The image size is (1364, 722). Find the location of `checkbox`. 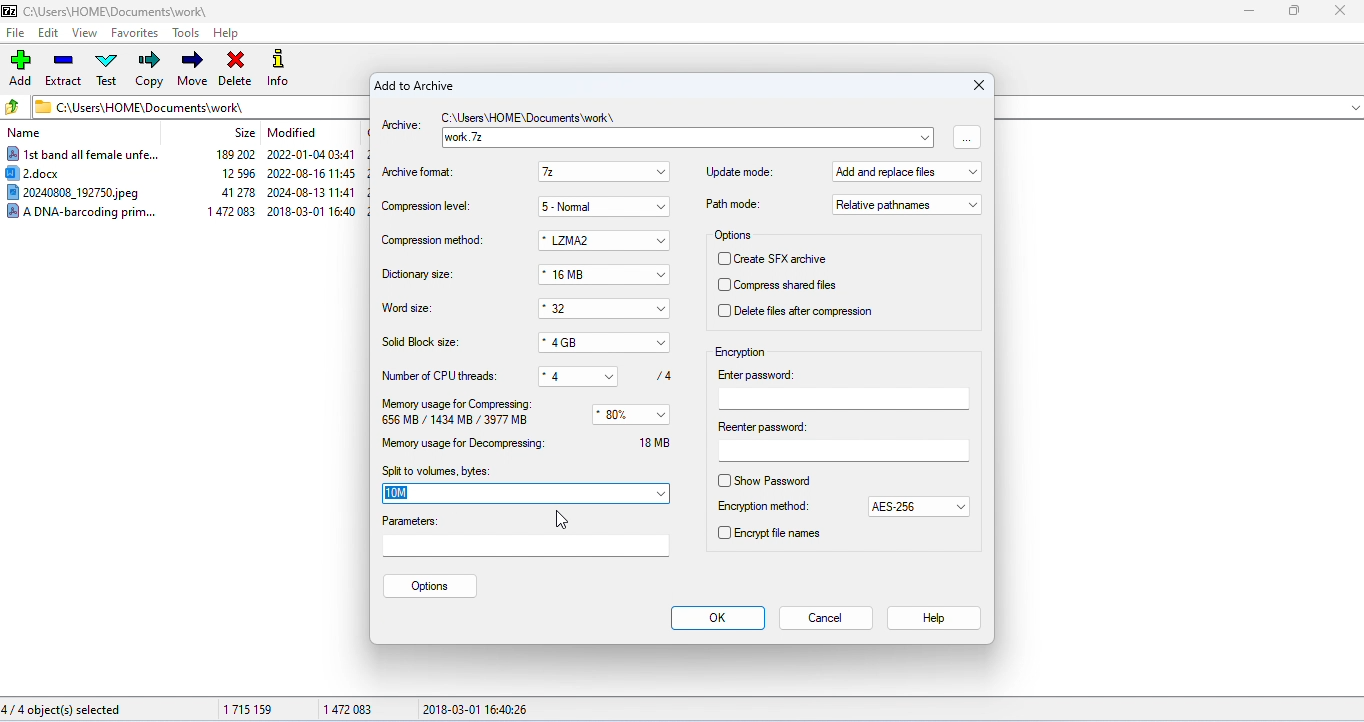

checkbox is located at coordinates (723, 259).